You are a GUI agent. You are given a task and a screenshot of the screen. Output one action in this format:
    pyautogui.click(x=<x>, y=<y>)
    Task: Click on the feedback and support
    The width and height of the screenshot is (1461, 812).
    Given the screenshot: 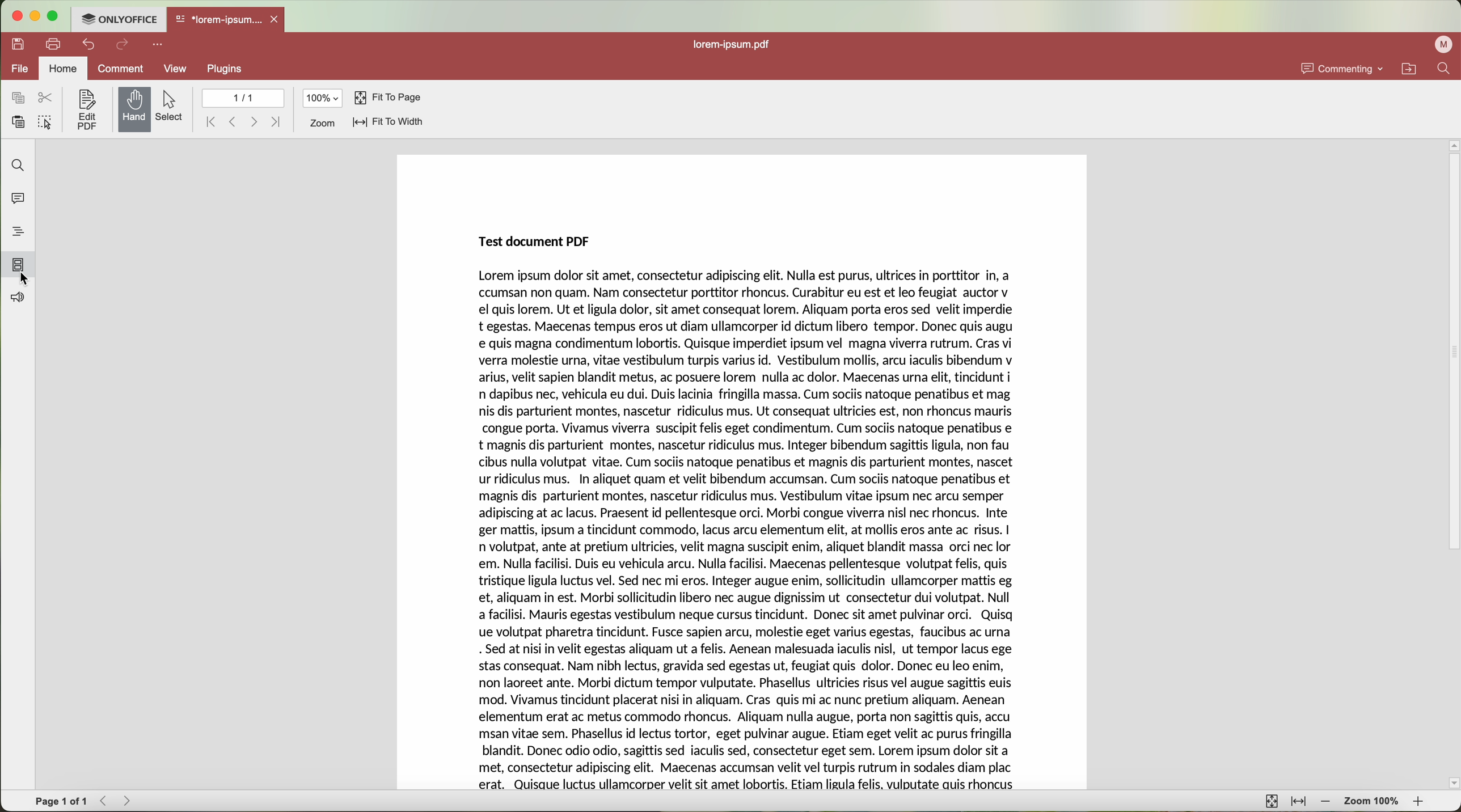 What is the action you would take?
    pyautogui.click(x=15, y=298)
    